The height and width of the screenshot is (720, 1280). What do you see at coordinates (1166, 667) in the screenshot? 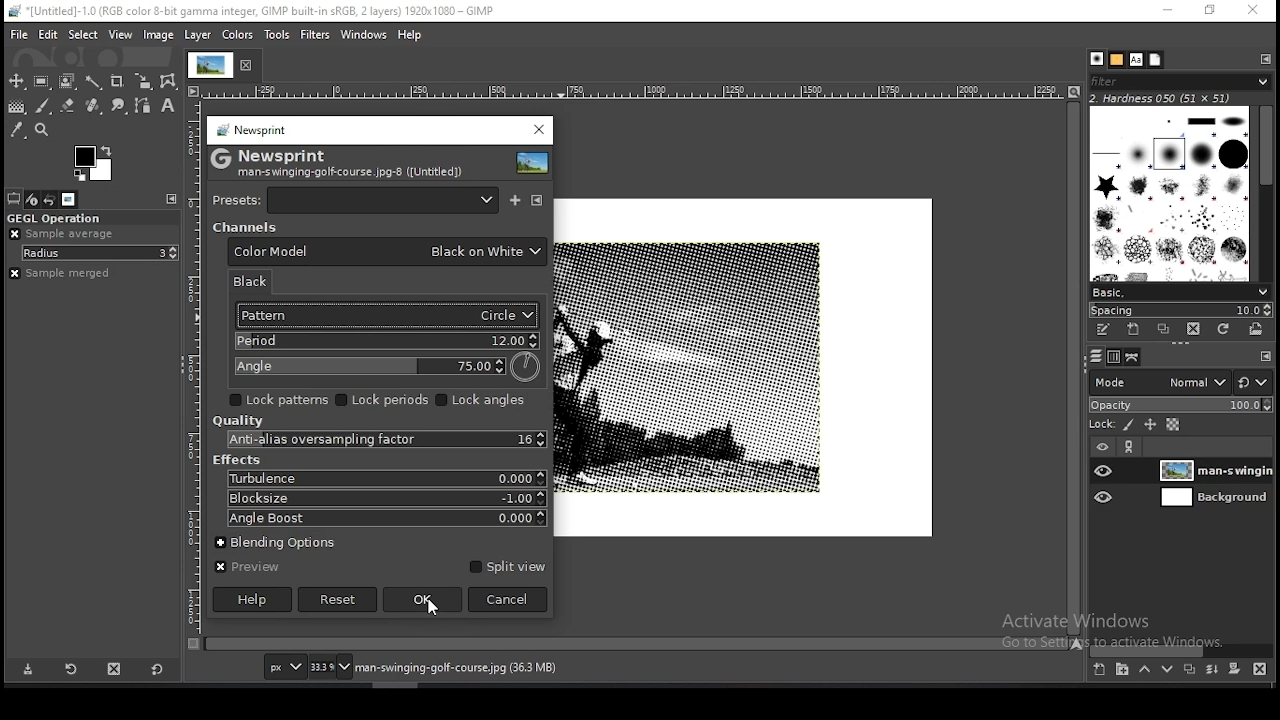
I see `move layer one step down` at bounding box center [1166, 667].